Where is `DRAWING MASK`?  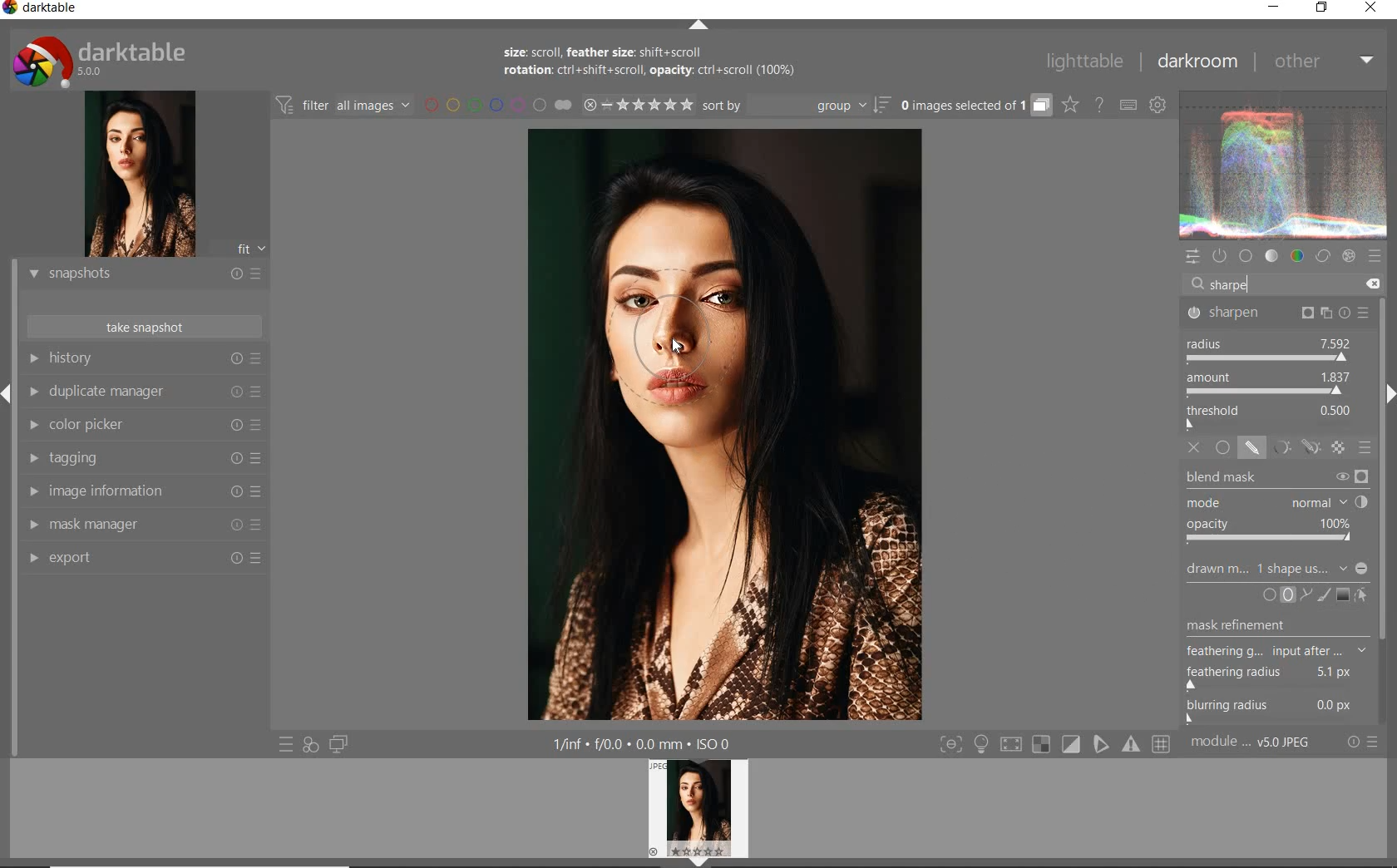
DRAWING MASK is located at coordinates (684, 345).